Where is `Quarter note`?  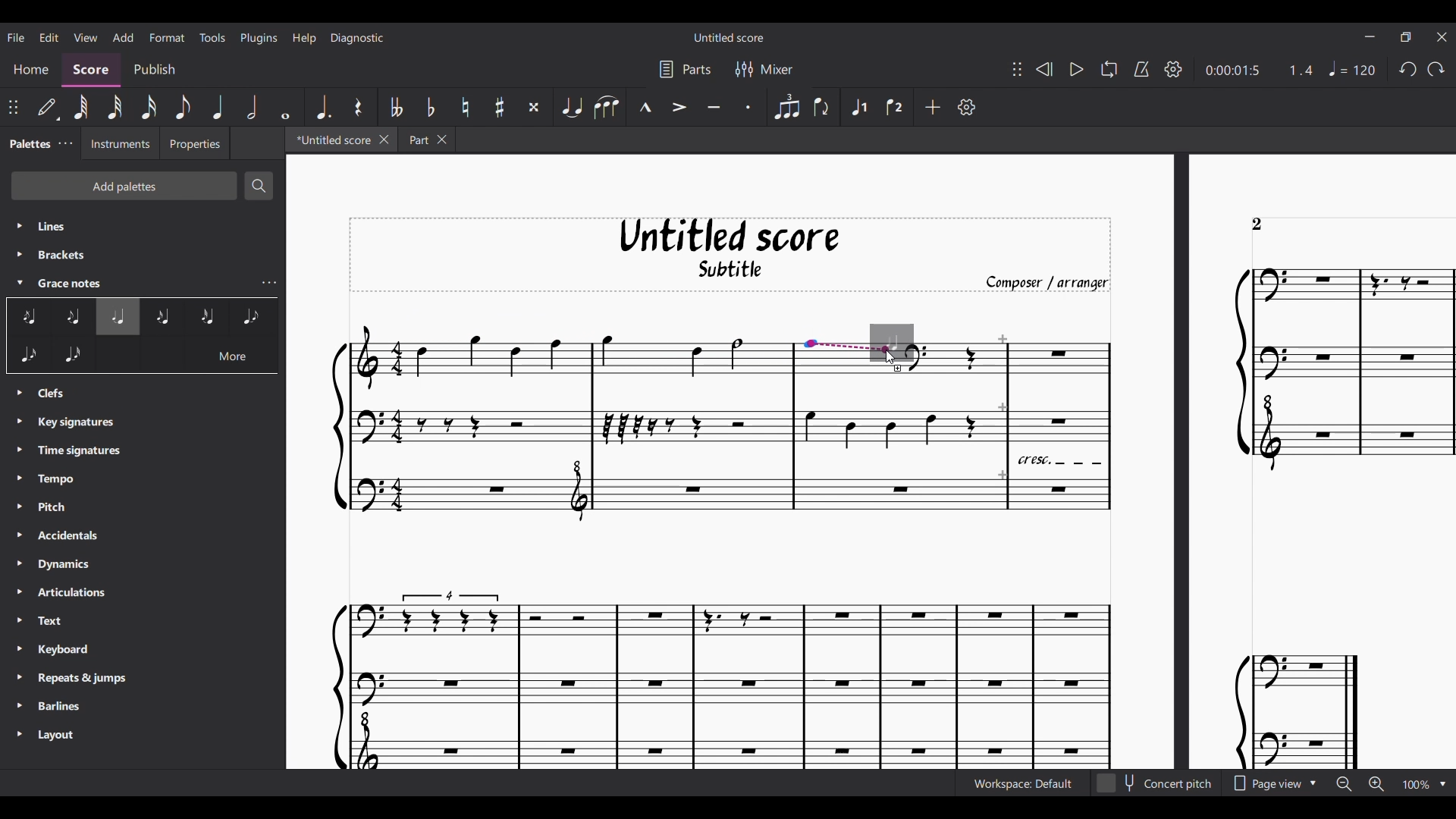
Quarter note is located at coordinates (218, 107).